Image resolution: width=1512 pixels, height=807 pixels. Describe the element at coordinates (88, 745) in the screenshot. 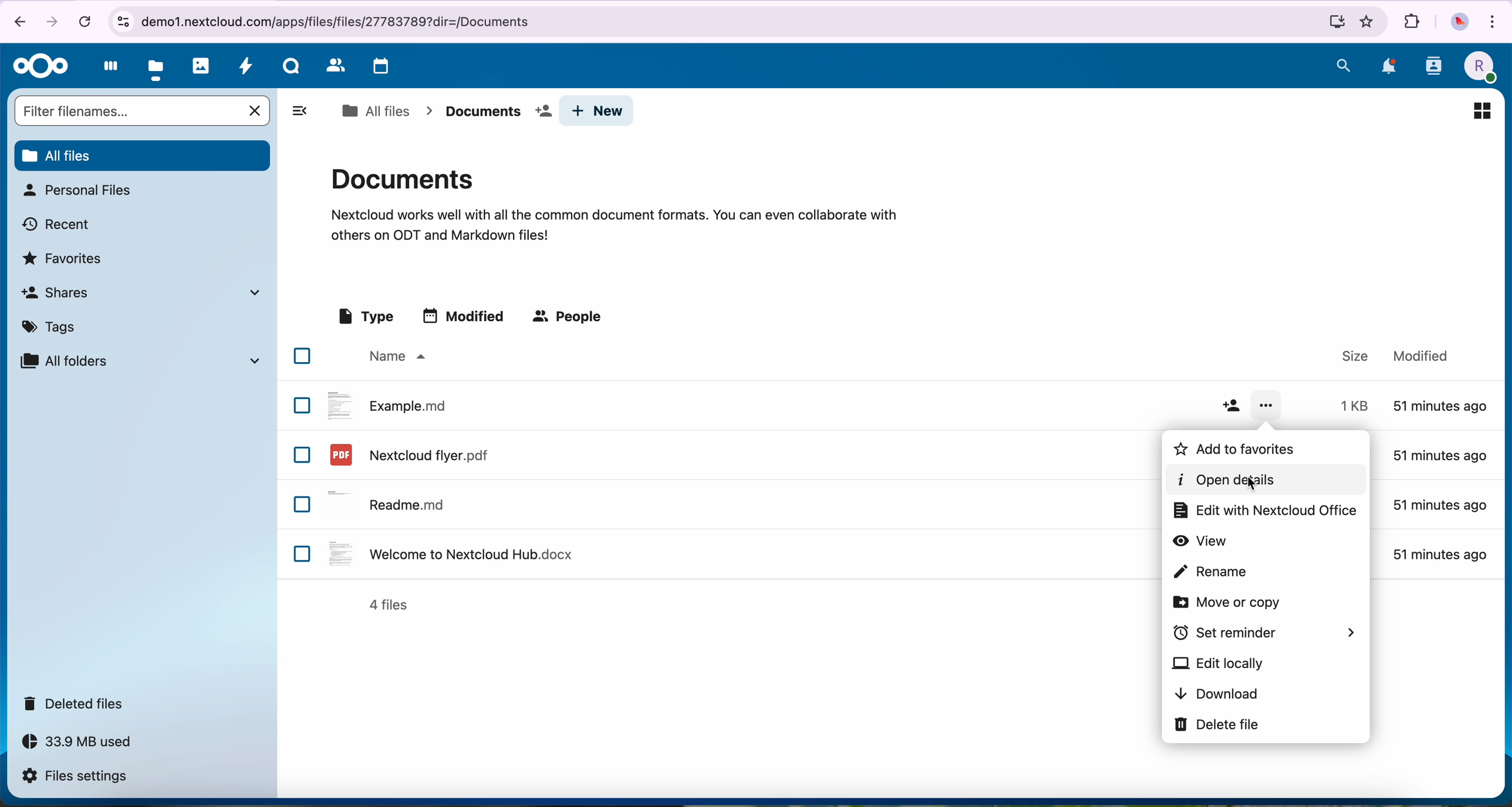

I see `33.9 MB used` at that location.